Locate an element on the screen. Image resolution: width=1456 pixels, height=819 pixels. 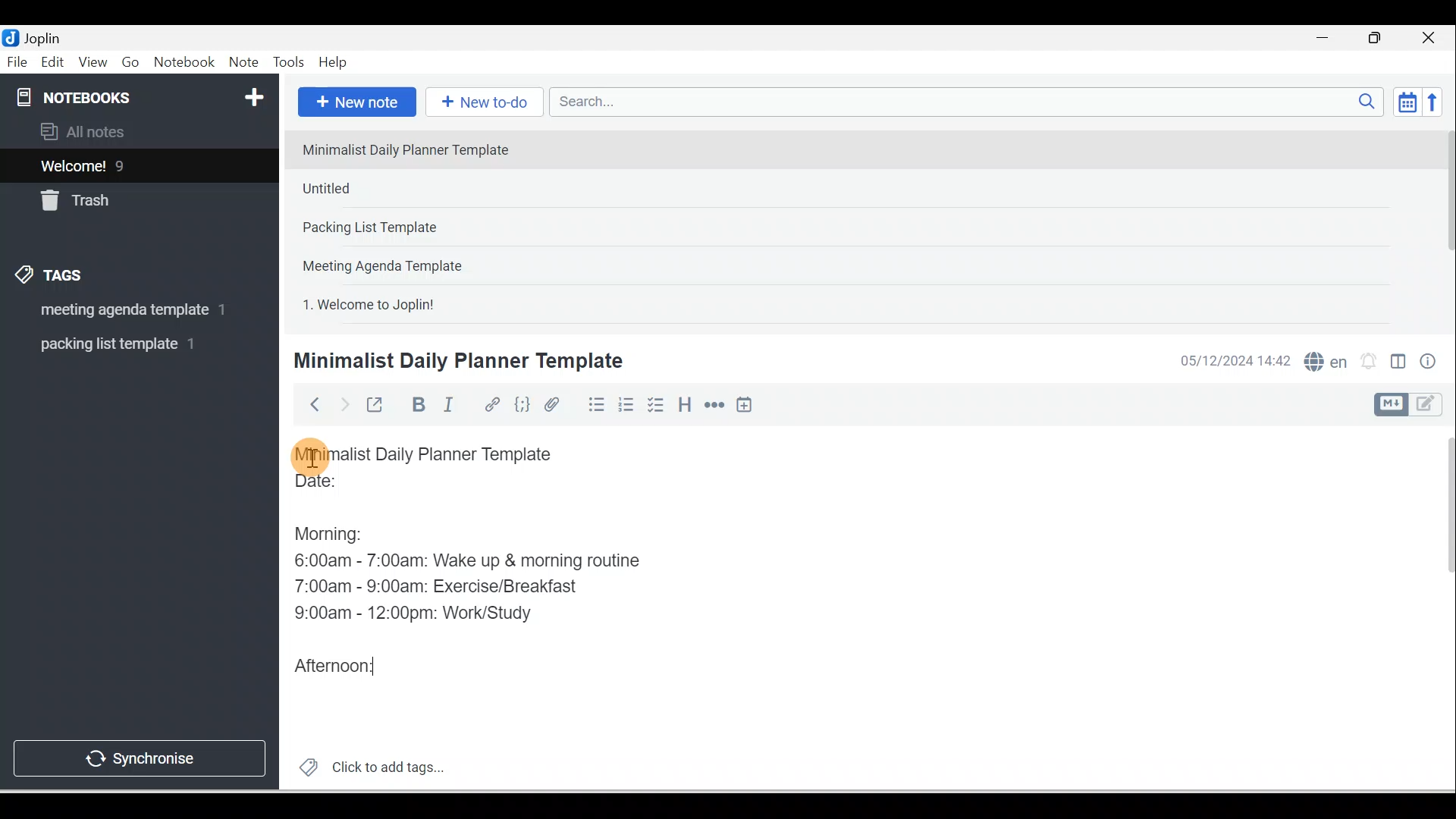
Date: is located at coordinates (359, 488).